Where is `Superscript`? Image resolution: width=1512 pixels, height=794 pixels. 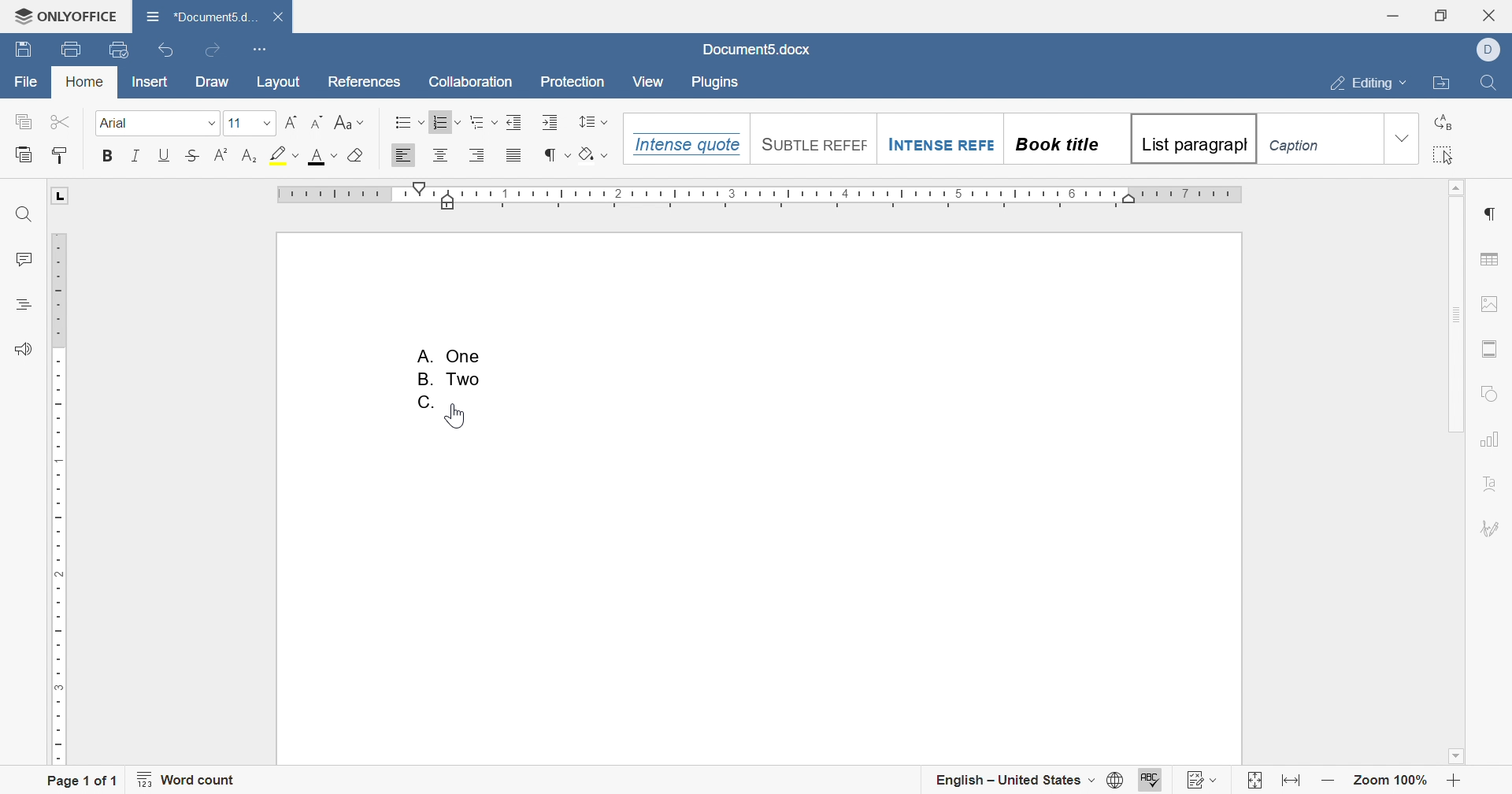 Superscript is located at coordinates (221, 154).